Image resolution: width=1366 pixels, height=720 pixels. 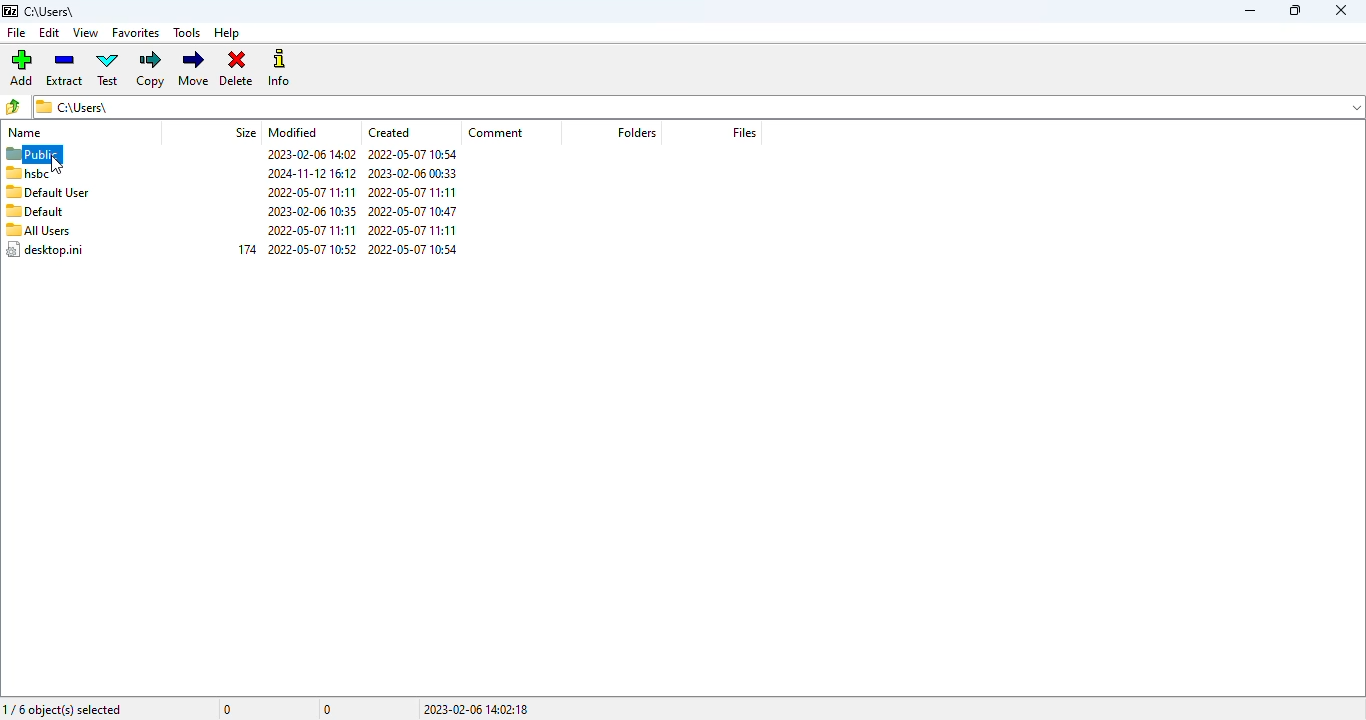 I want to click on 2023-02-06 14:02, so click(x=306, y=154).